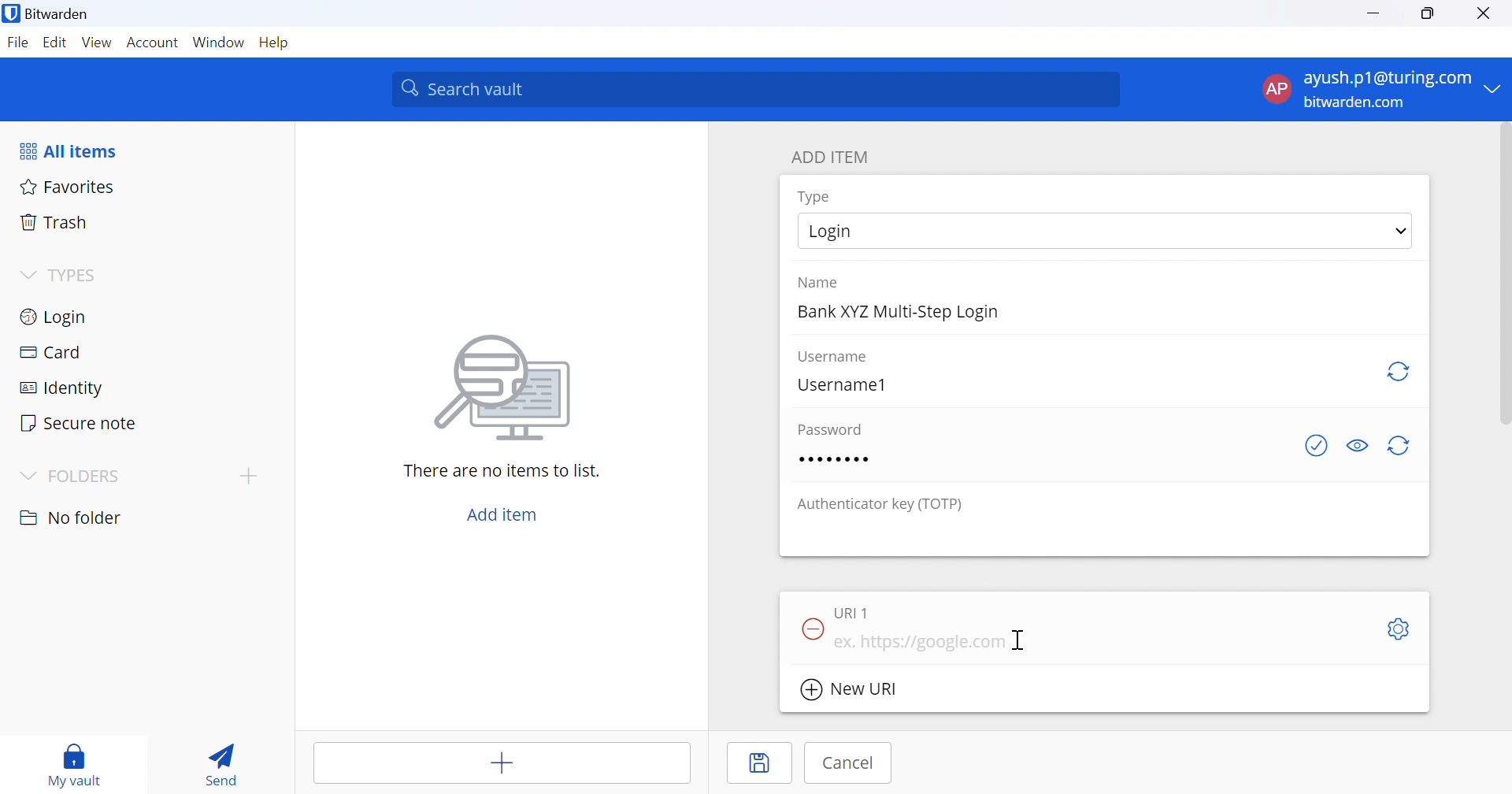  Describe the element at coordinates (848, 690) in the screenshot. I see `New URI` at that location.